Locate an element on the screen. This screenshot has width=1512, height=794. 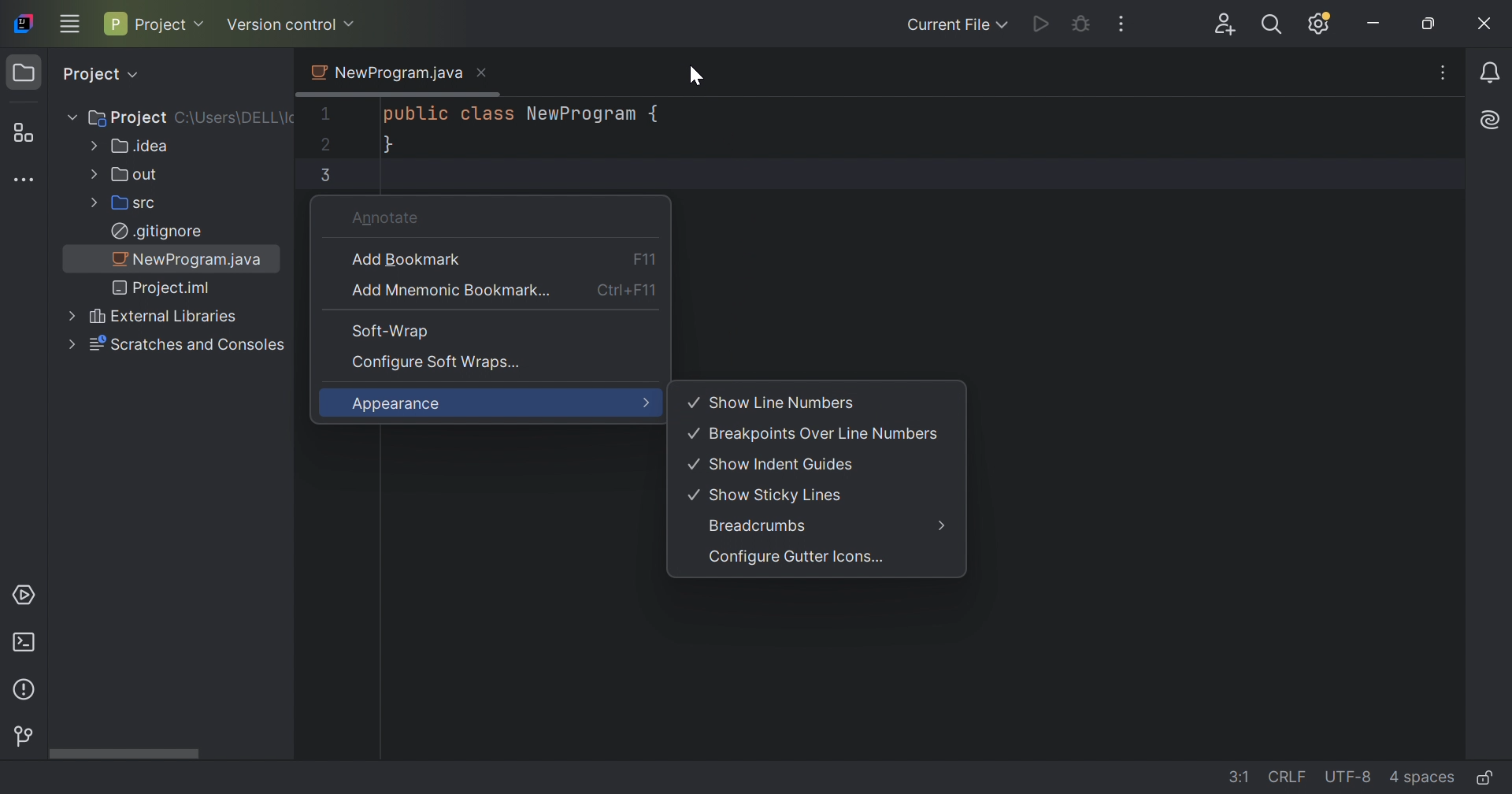
Drop Down is located at coordinates (1005, 25).